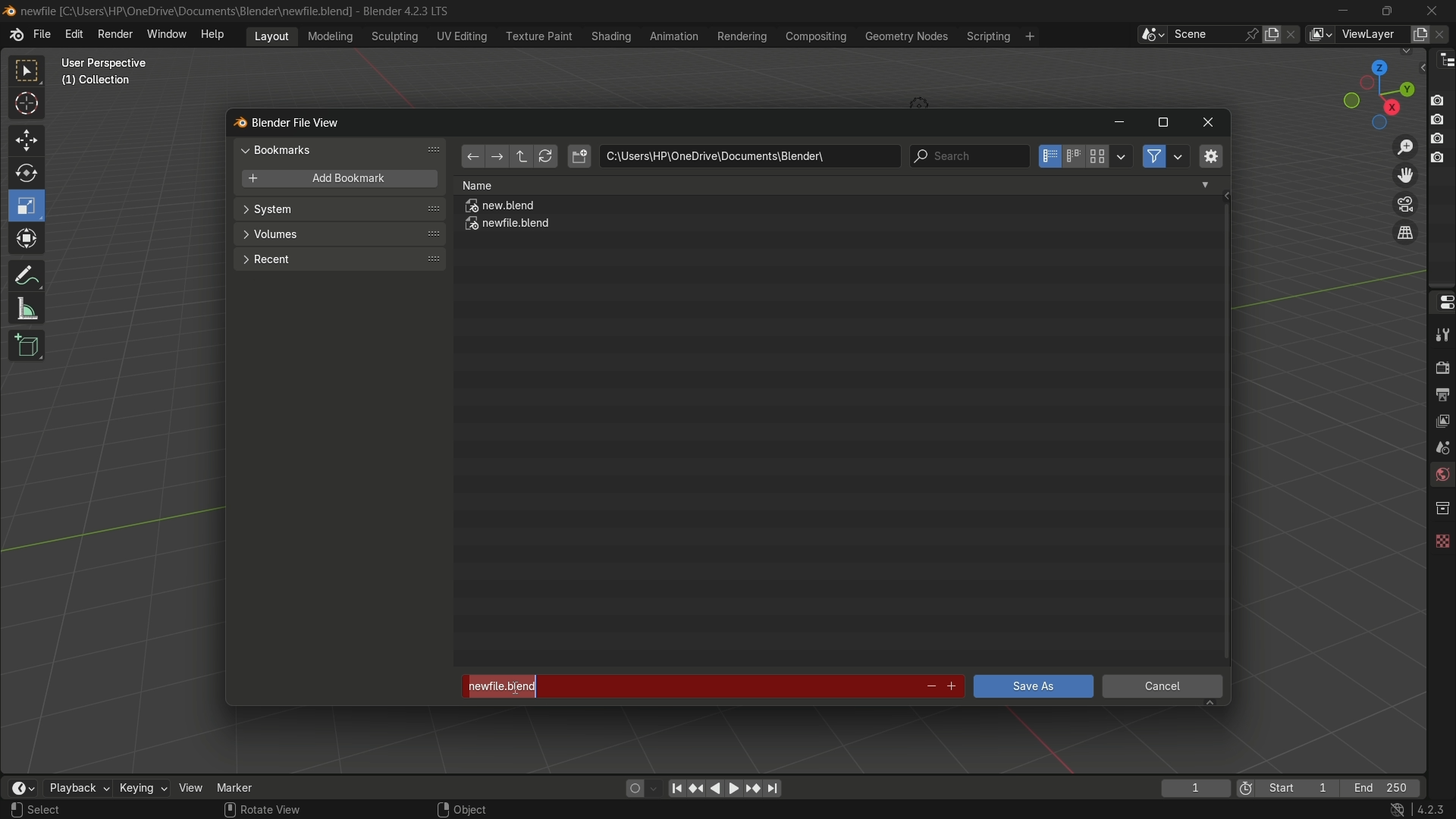  Describe the element at coordinates (1319, 34) in the screenshot. I see `view layer` at that location.